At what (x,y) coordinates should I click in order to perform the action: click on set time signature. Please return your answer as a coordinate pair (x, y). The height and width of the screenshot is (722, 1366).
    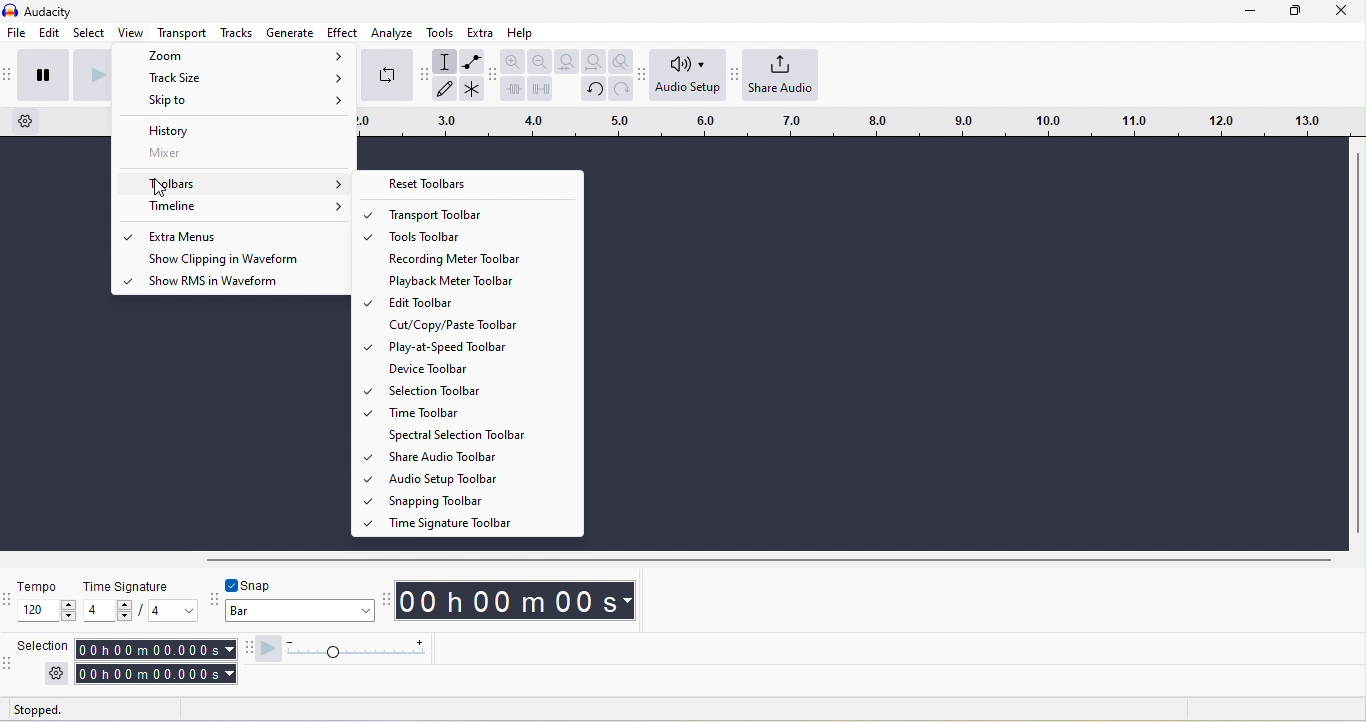
    Looking at the image, I should click on (108, 610).